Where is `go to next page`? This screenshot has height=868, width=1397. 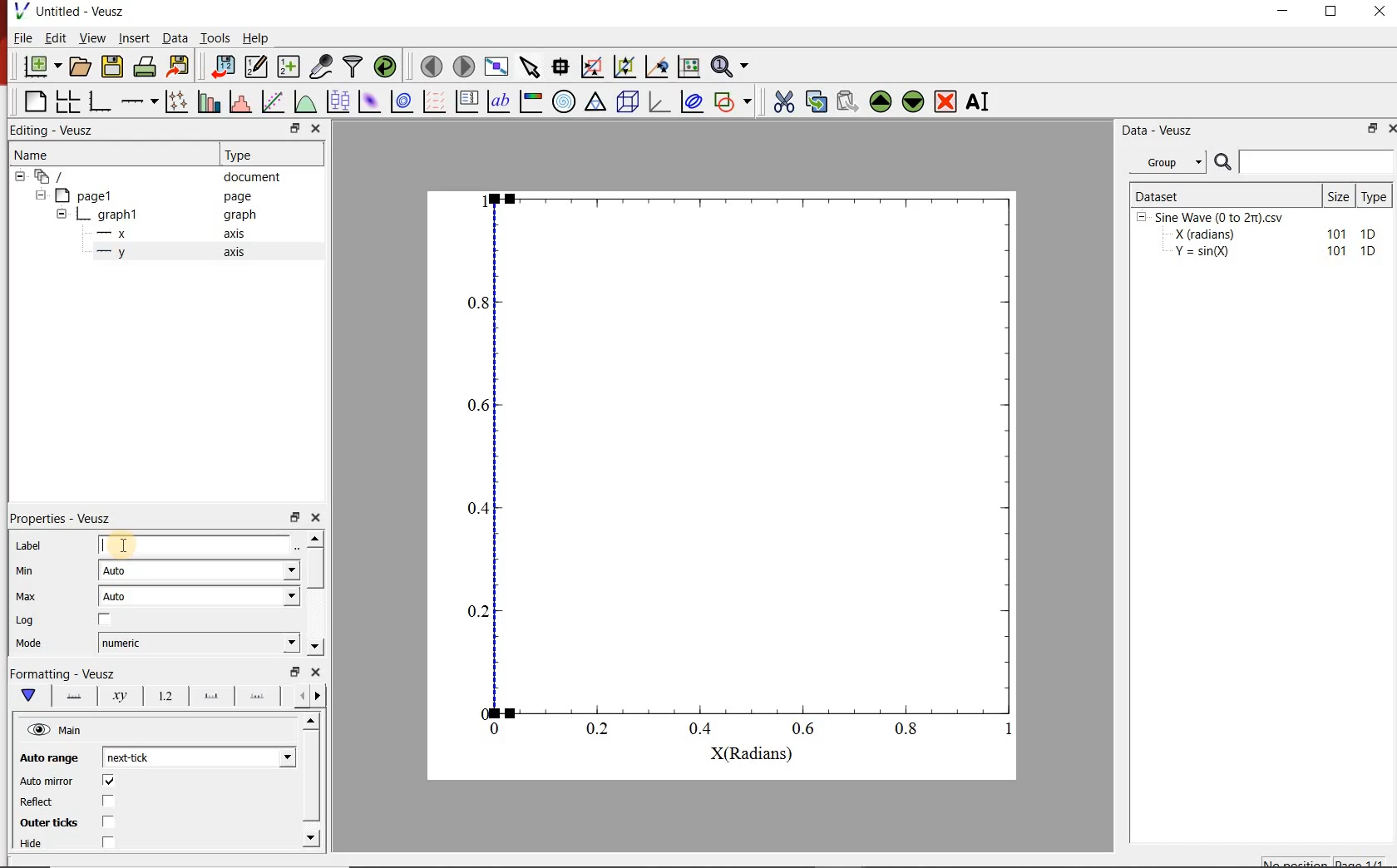 go to next page is located at coordinates (464, 65).